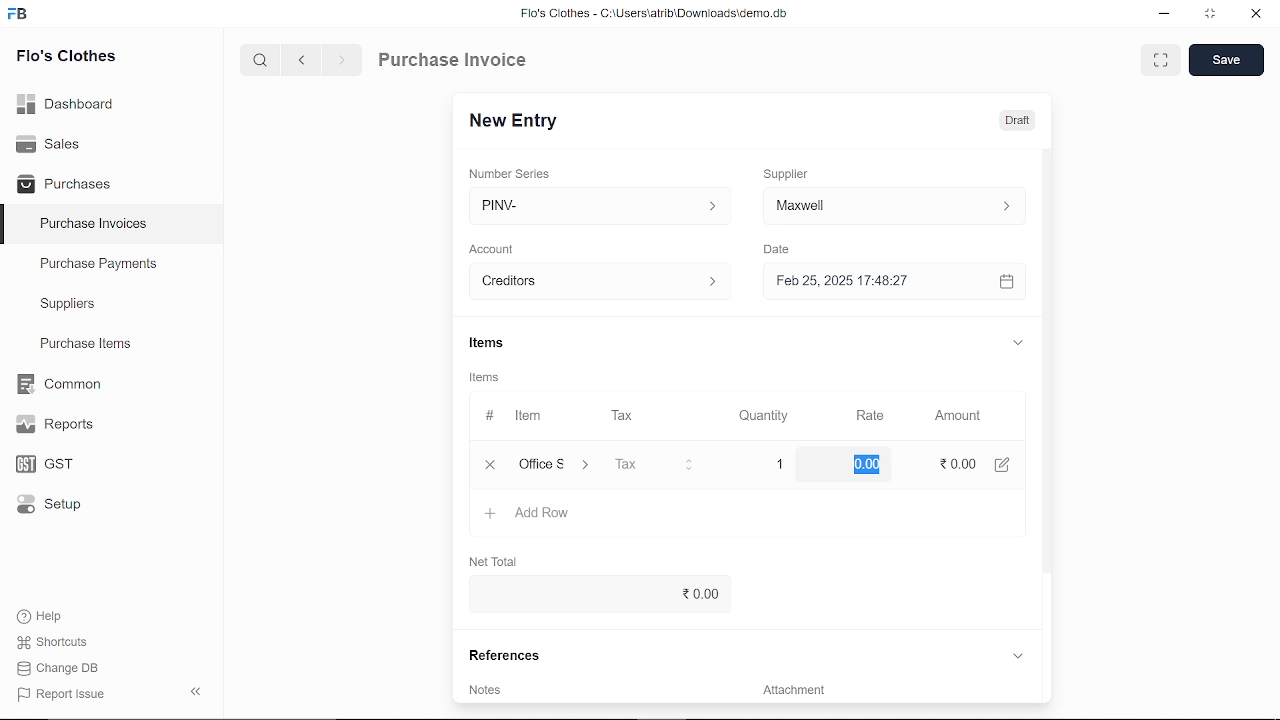  What do you see at coordinates (48, 142) in the screenshot?
I see `Sales` at bounding box center [48, 142].